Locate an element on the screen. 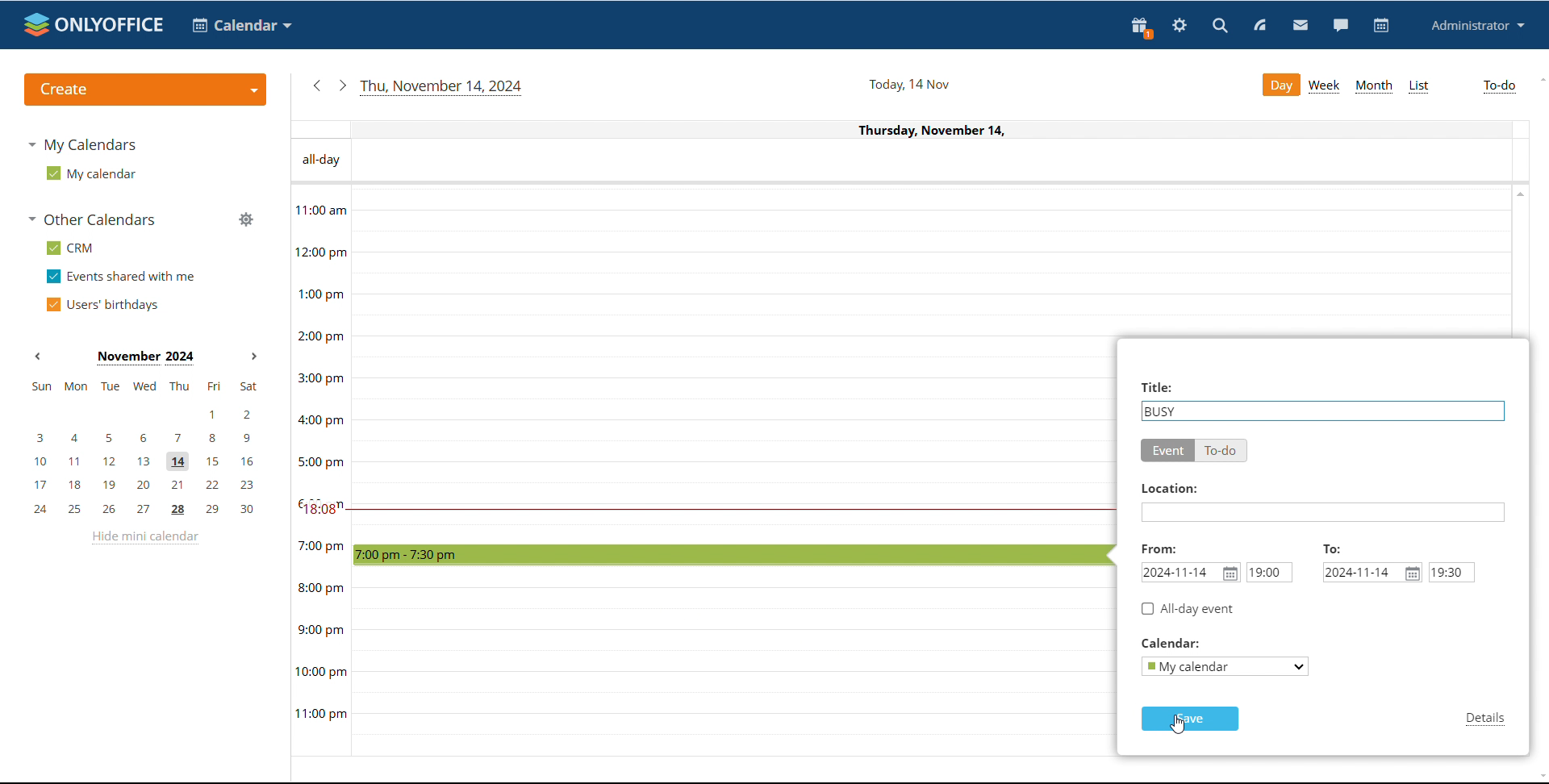 The image size is (1549, 784). scroll down is located at coordinates (1539, 778).